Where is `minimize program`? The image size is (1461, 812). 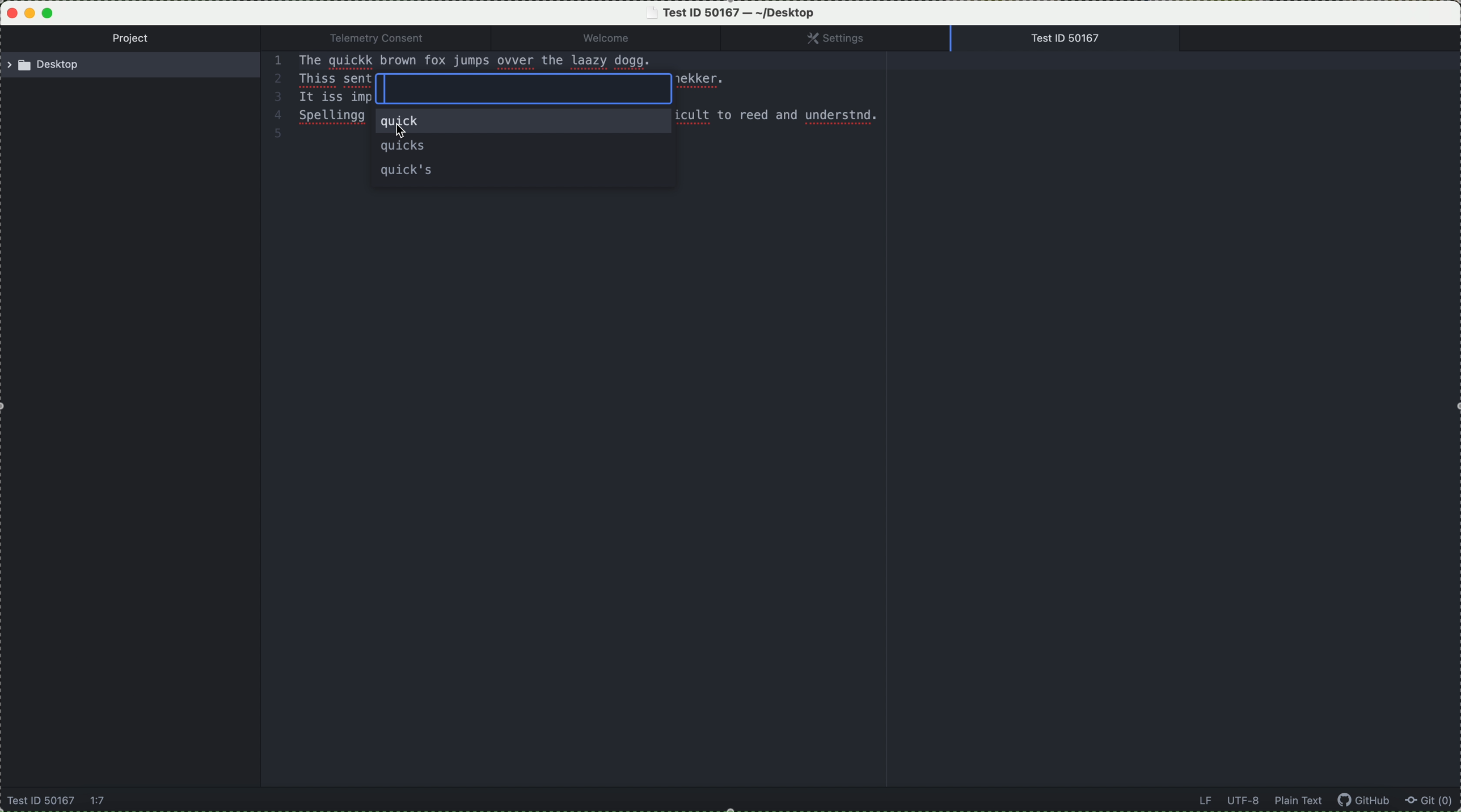
minimize program is located at coordinates (30, 14).